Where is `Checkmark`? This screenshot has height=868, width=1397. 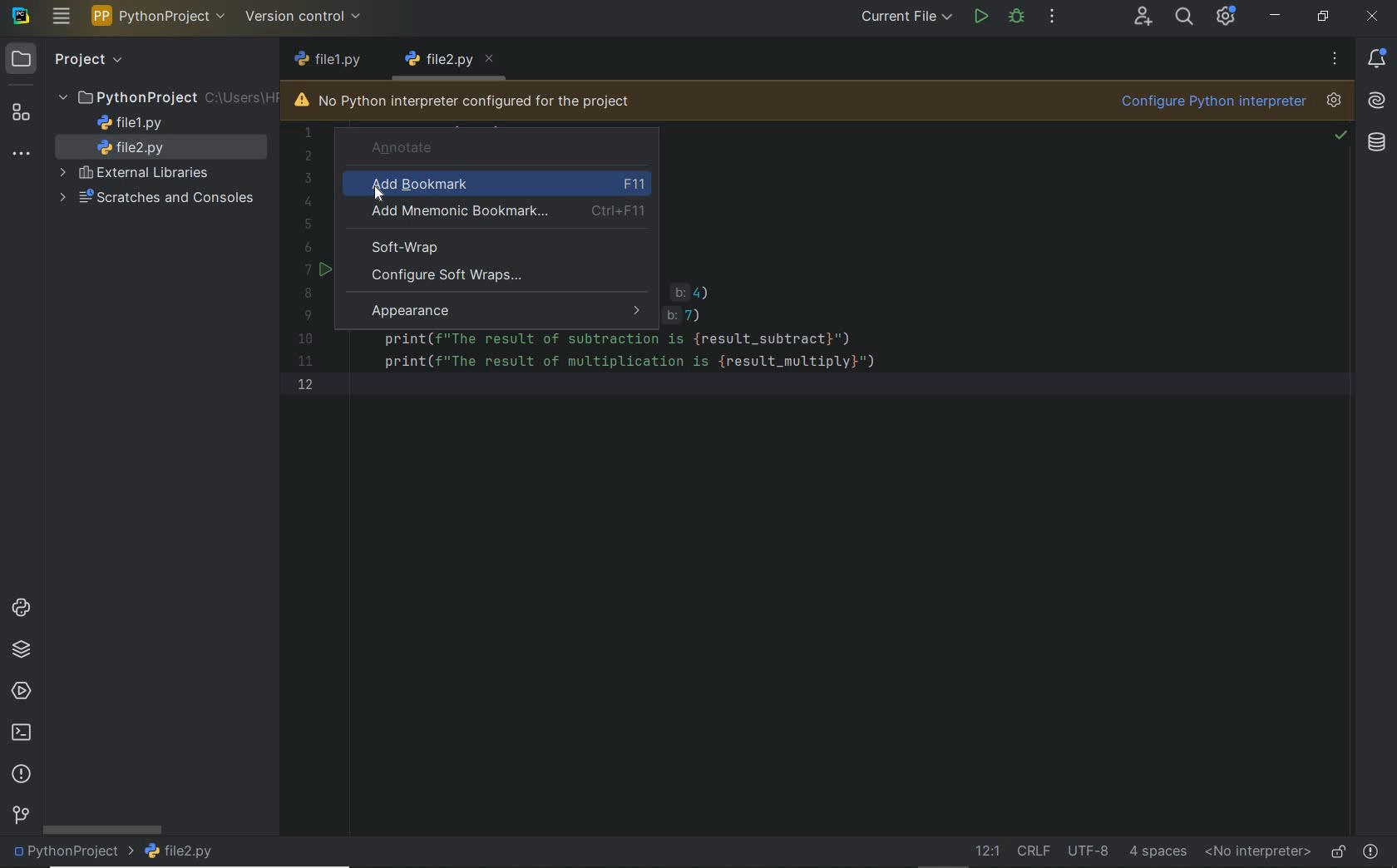 Checkmark is located at coordinates (1340, 136).